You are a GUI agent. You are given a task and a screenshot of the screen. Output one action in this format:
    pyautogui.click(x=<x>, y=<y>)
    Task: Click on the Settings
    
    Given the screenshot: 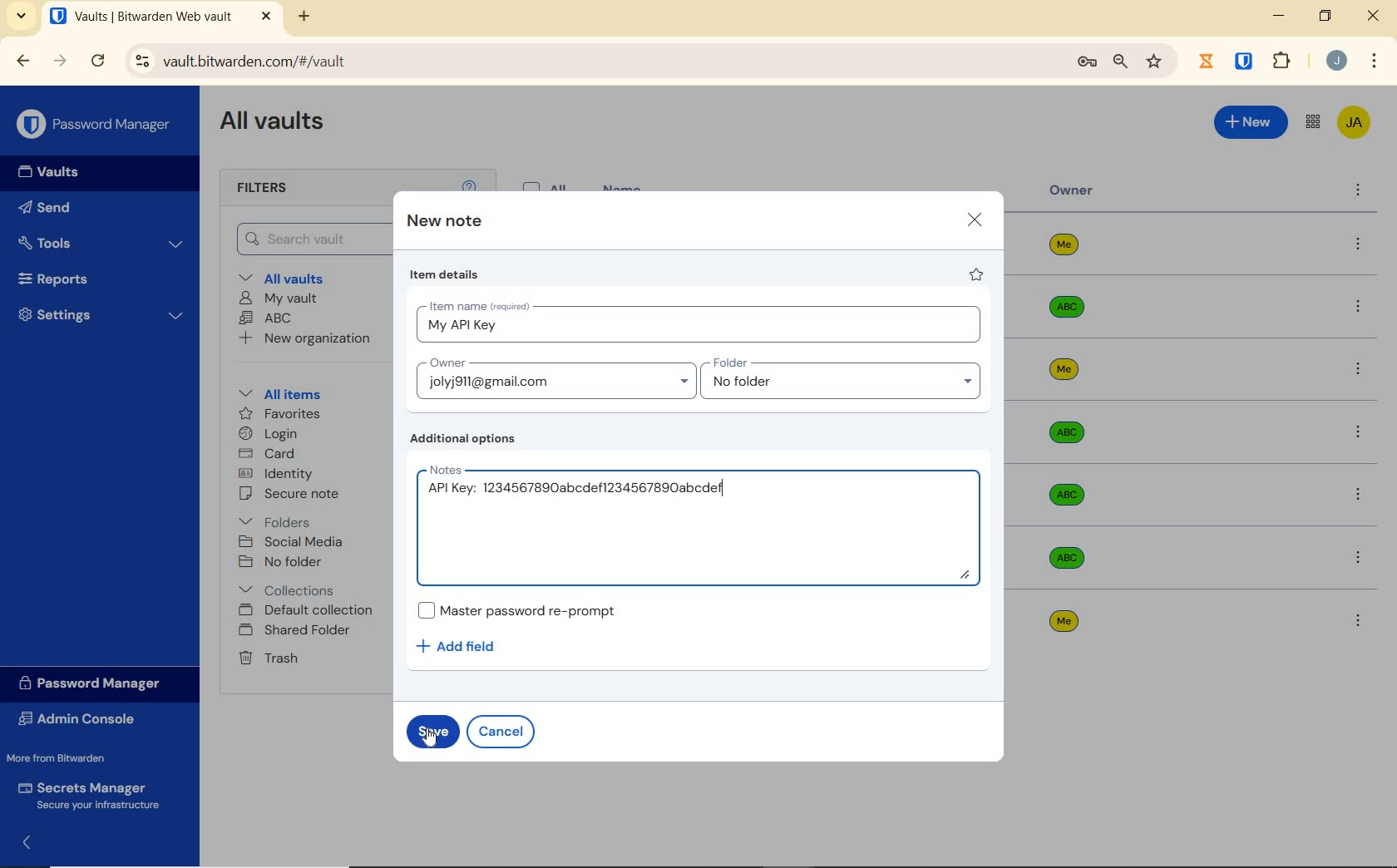 What is the action you would take?
    pyautogui.click(x=102, y=318)
    